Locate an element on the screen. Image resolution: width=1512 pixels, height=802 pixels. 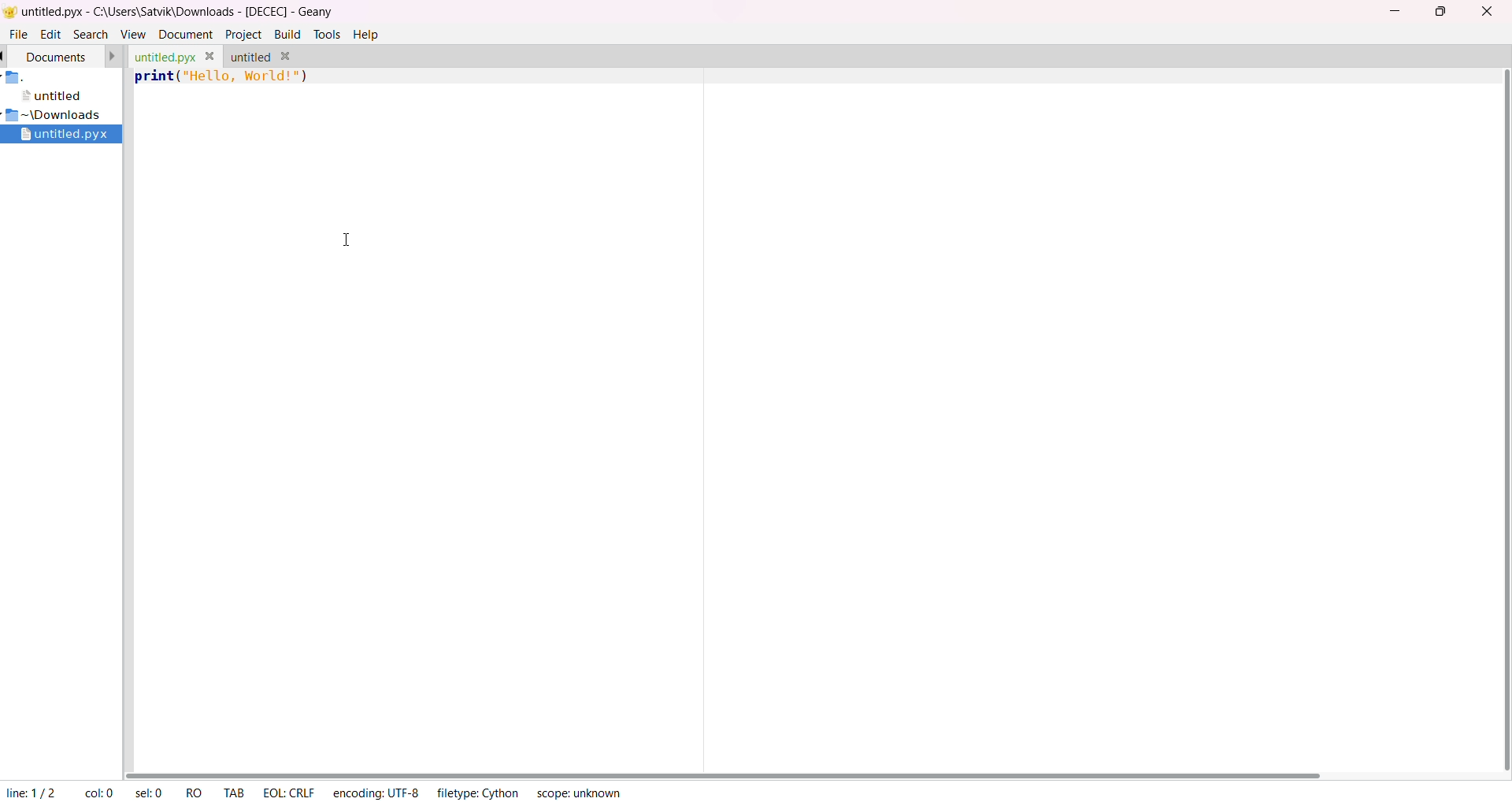
edit is located at coordinates (51, 34).